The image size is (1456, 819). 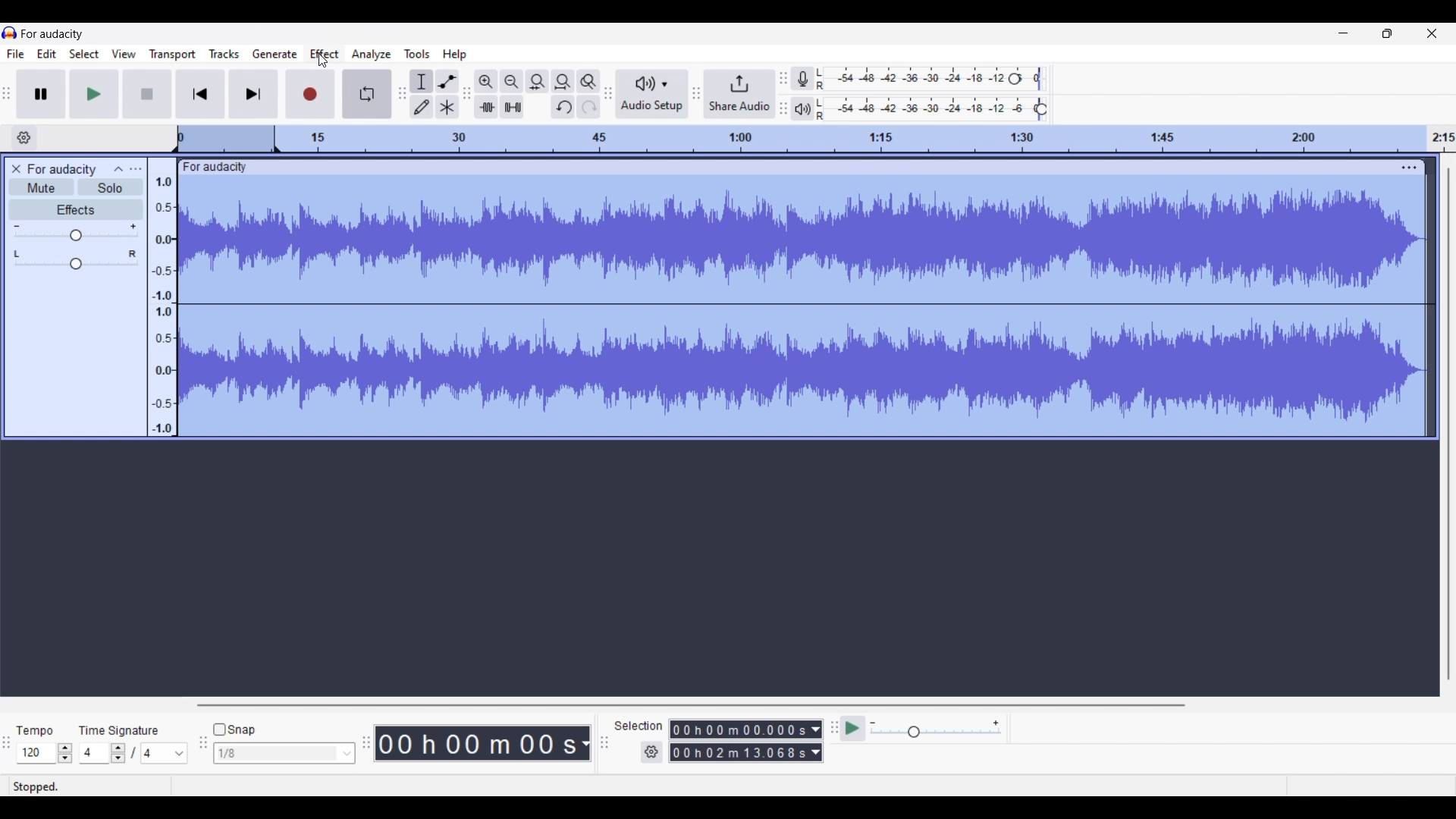 I want to click on Solo, so click(x=111, y=187).